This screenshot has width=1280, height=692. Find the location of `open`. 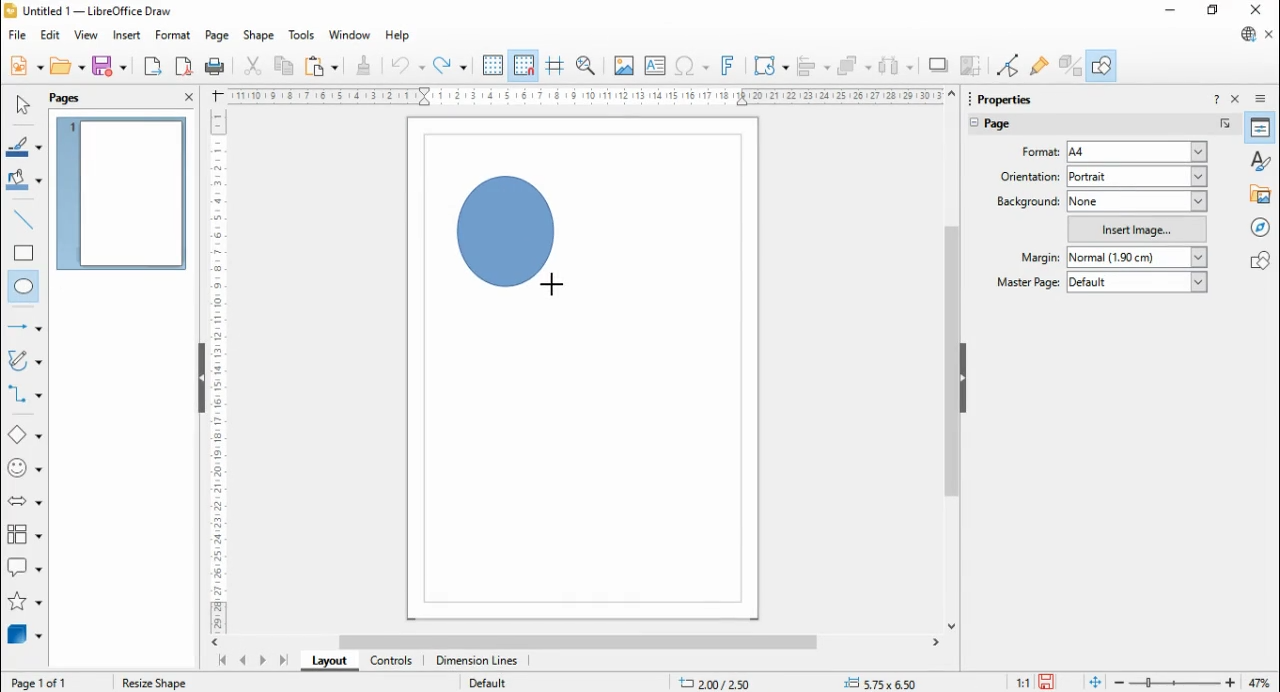

open is located at coordinates (67, 66).